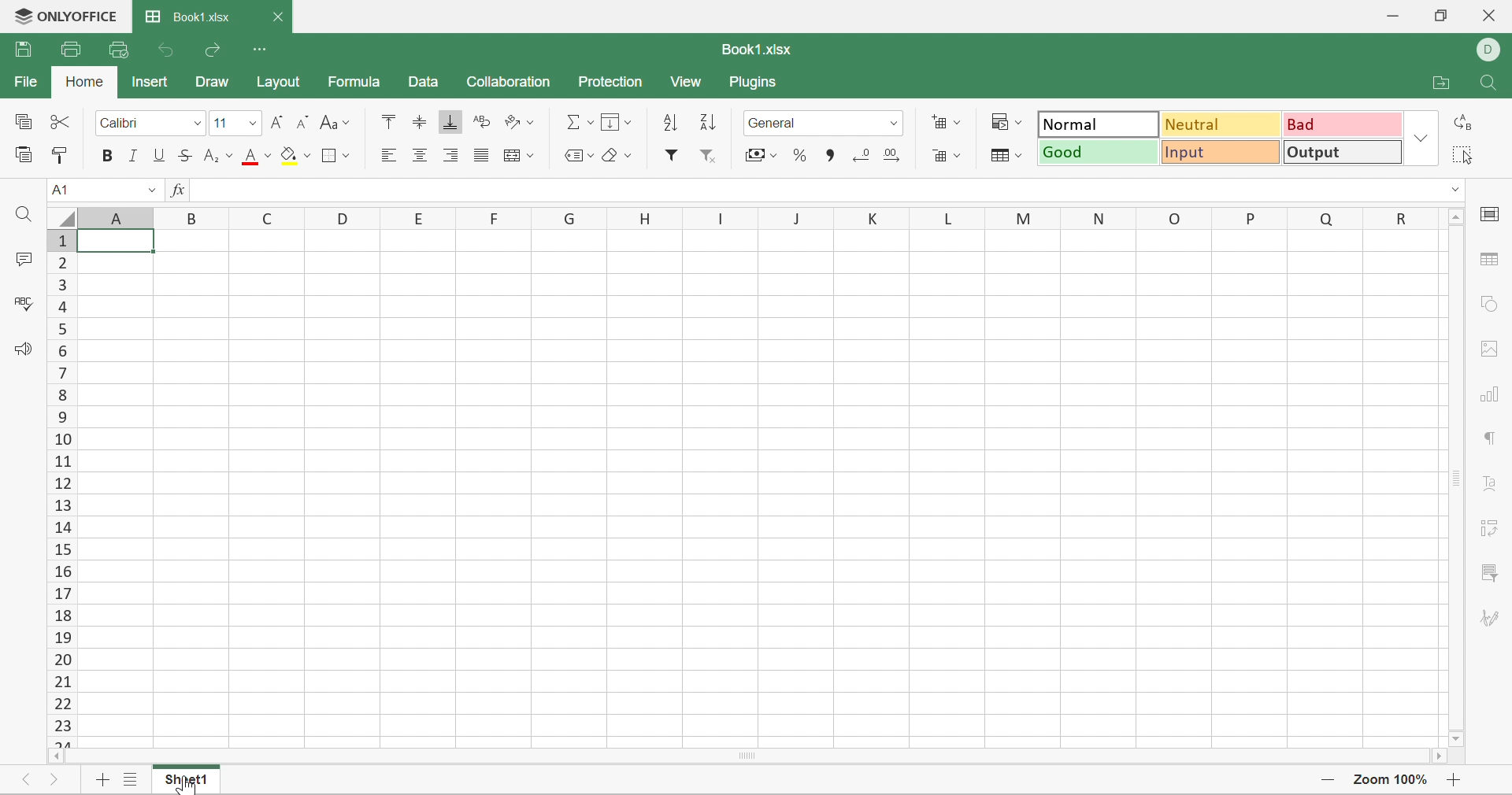 The image size is (1512, 795). What do you see at coordinates (1099, 124) in the screenshot?
I see `Normal` at bounding box center [1099, 124].